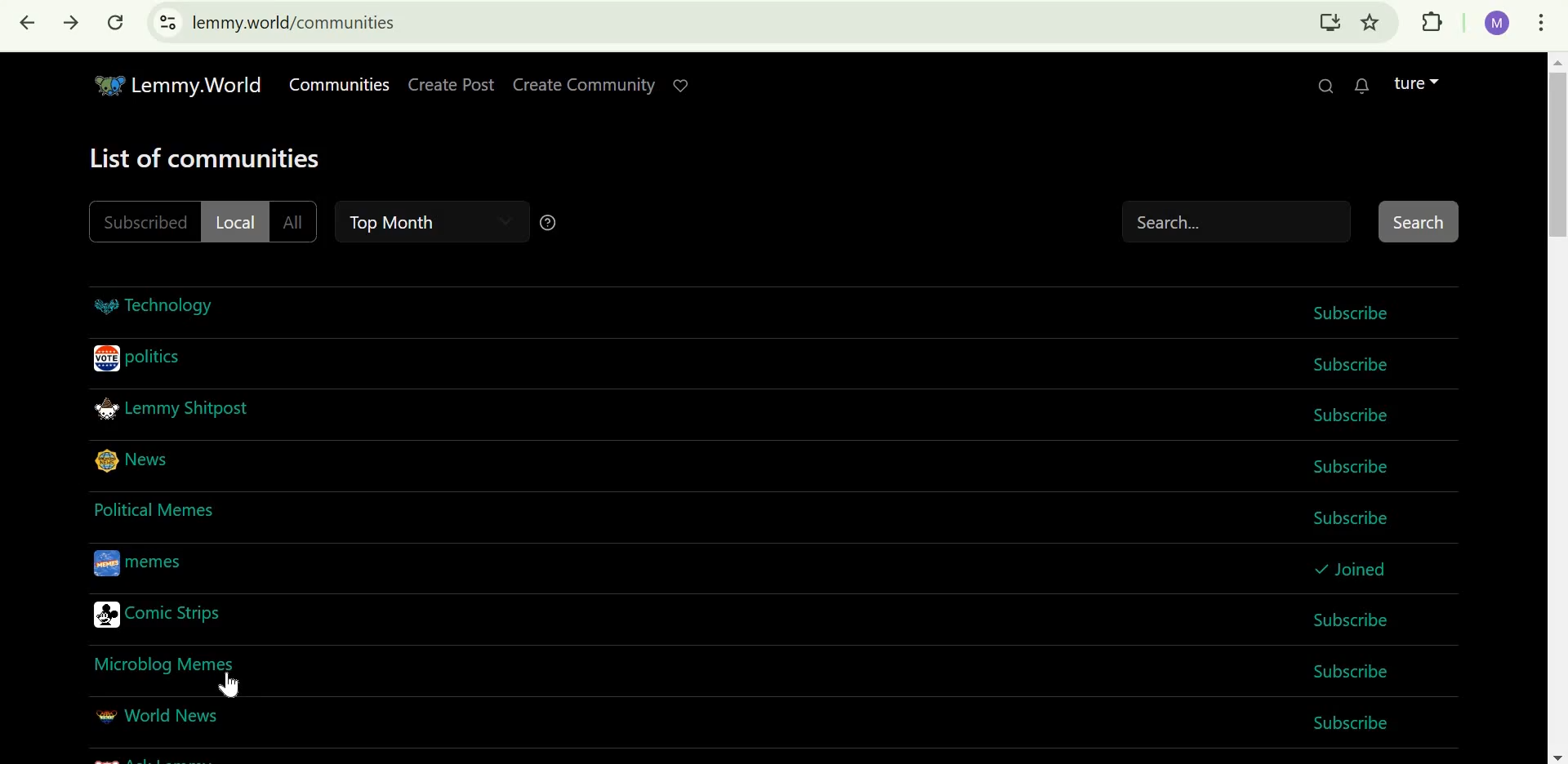 This screenshot has width=1568, height=764. What do you see at coordinates (685, 85) in the screenshot?
I see `supoort lemmy` at bounding box center [685, 85].